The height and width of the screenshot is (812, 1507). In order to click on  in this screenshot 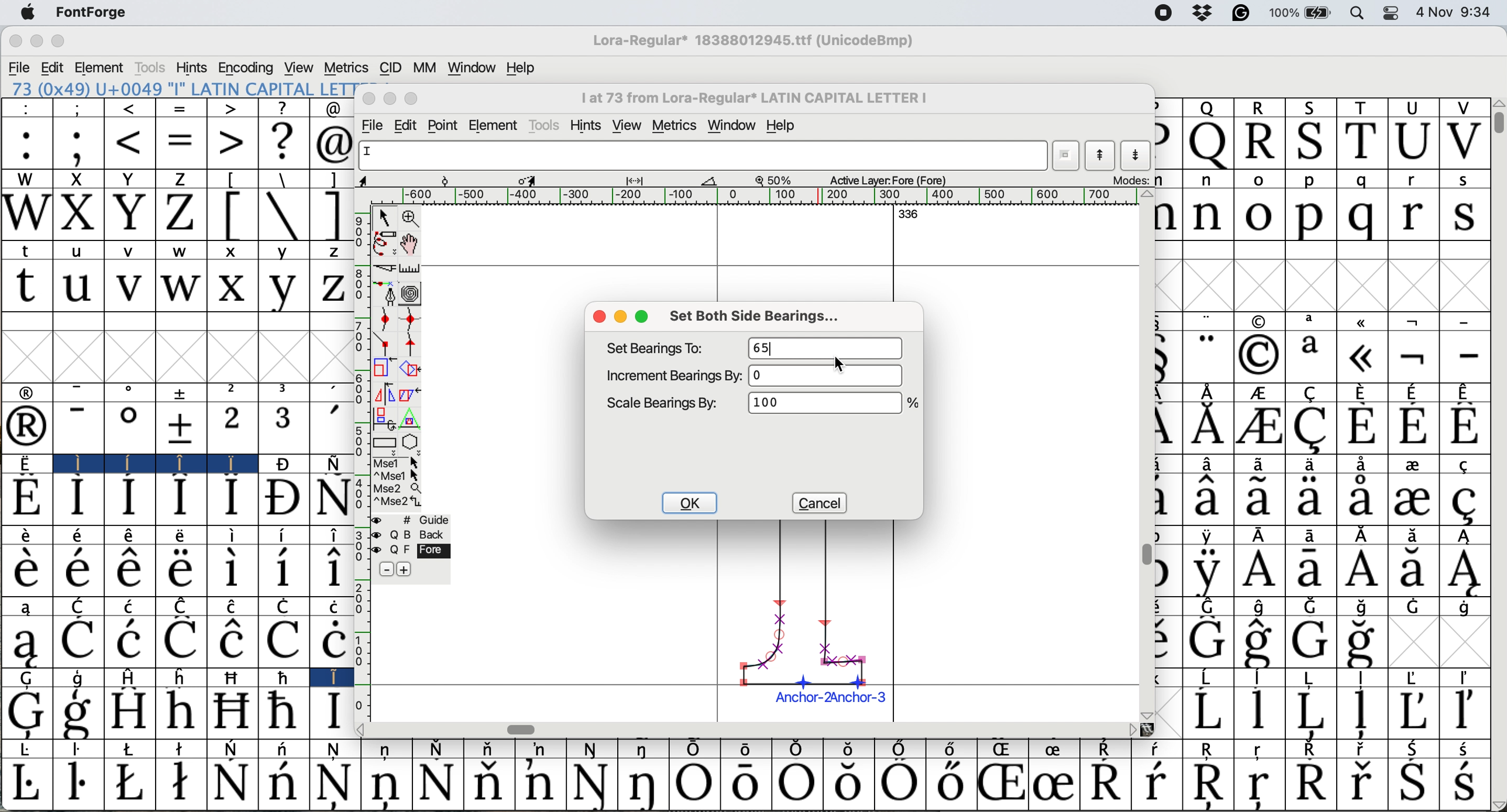, I will do `click(450, 180)`.